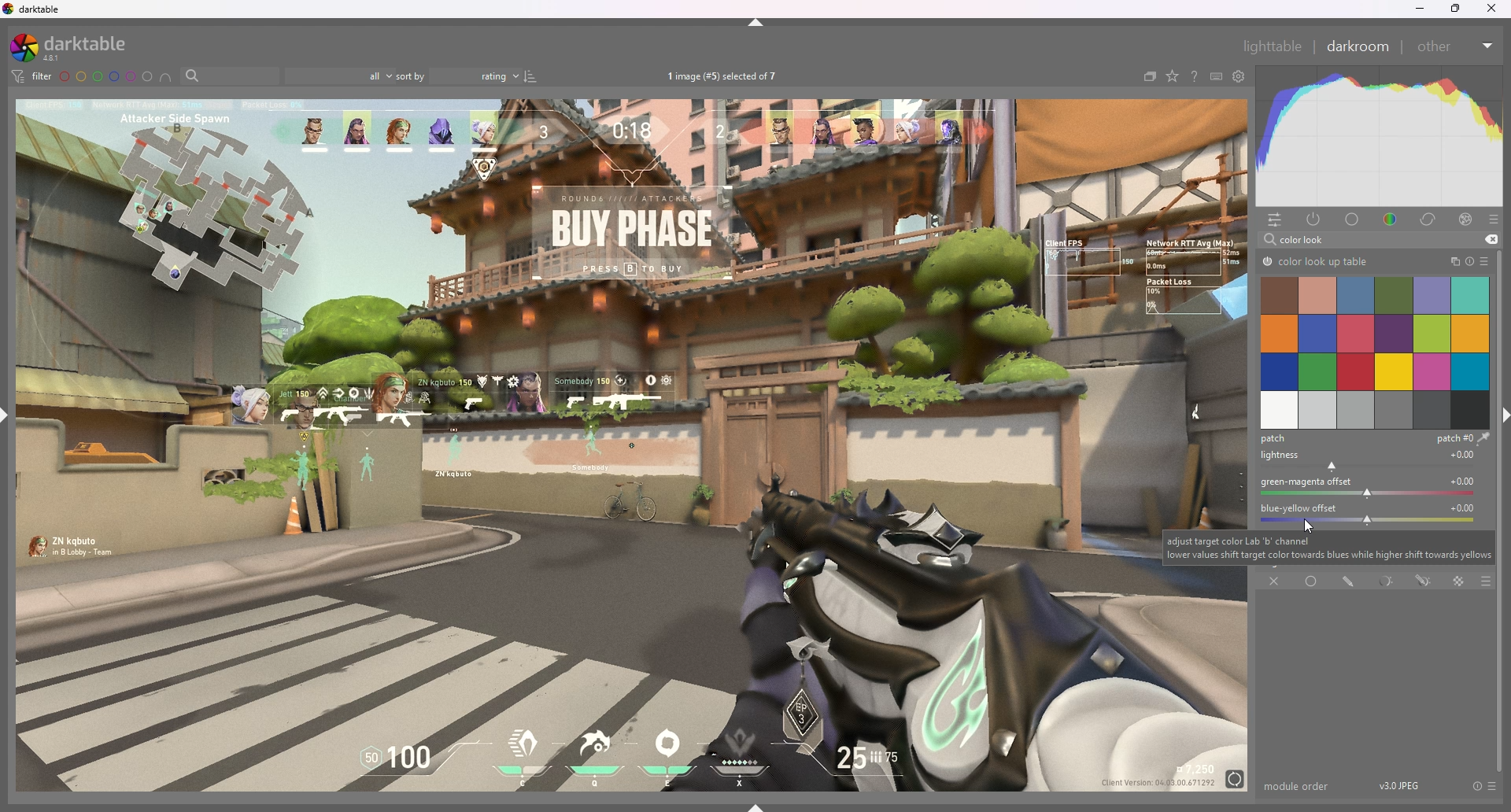  I want to click on hide, so click(756, 23).